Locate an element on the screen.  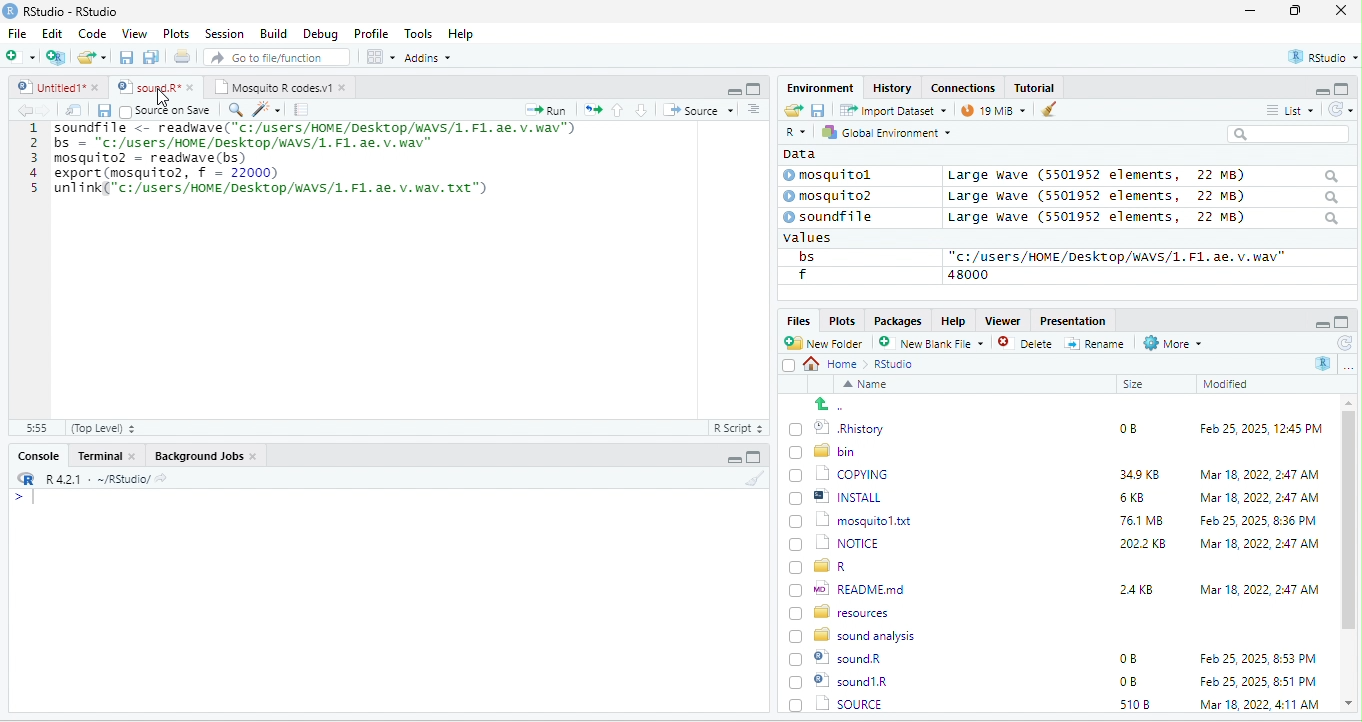
Apr 26, 2022, 1:00 PM is located at coordinates (1260, 706).